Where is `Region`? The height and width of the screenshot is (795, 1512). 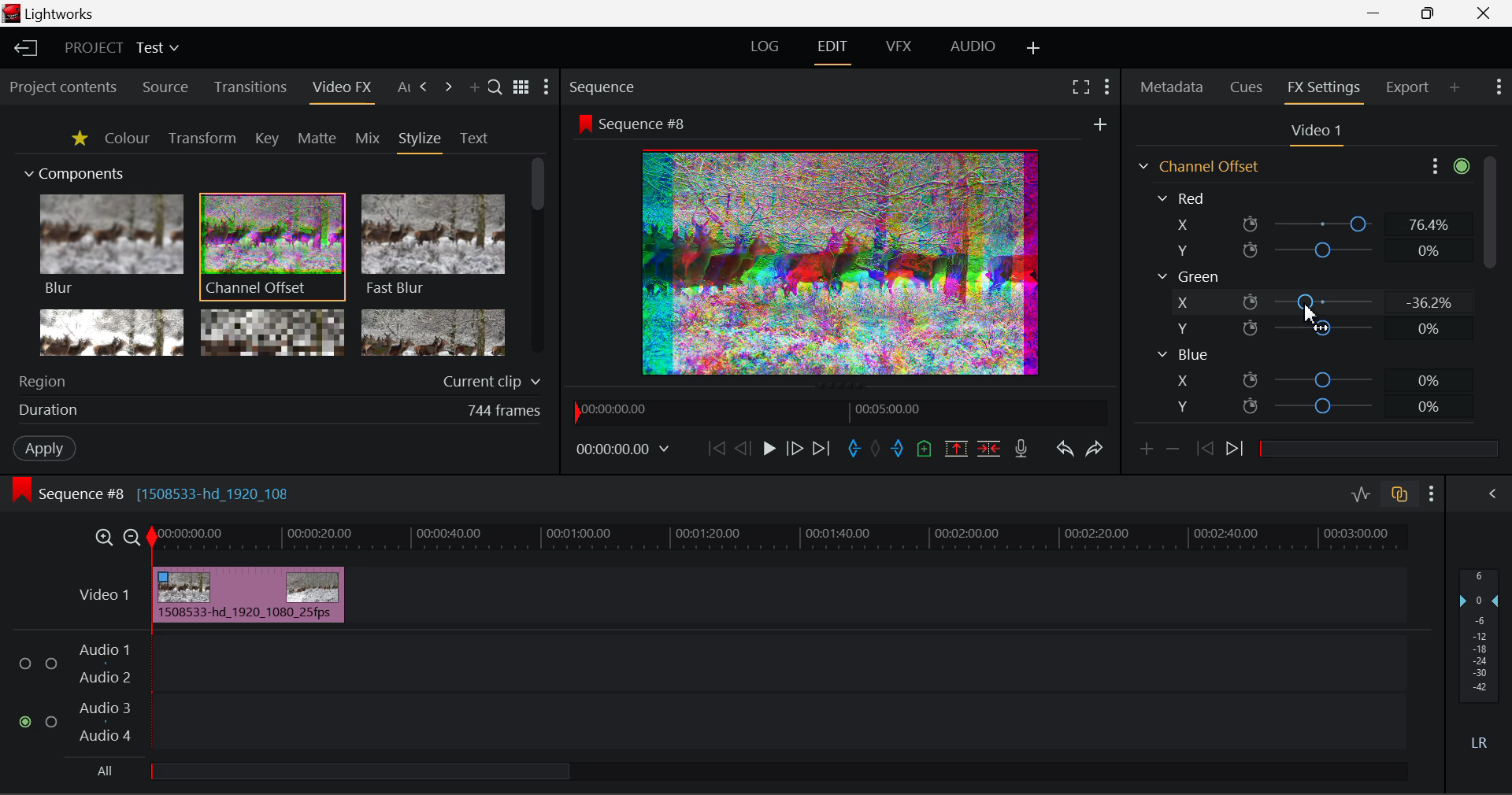 Region is located at coordinates (283, 379).